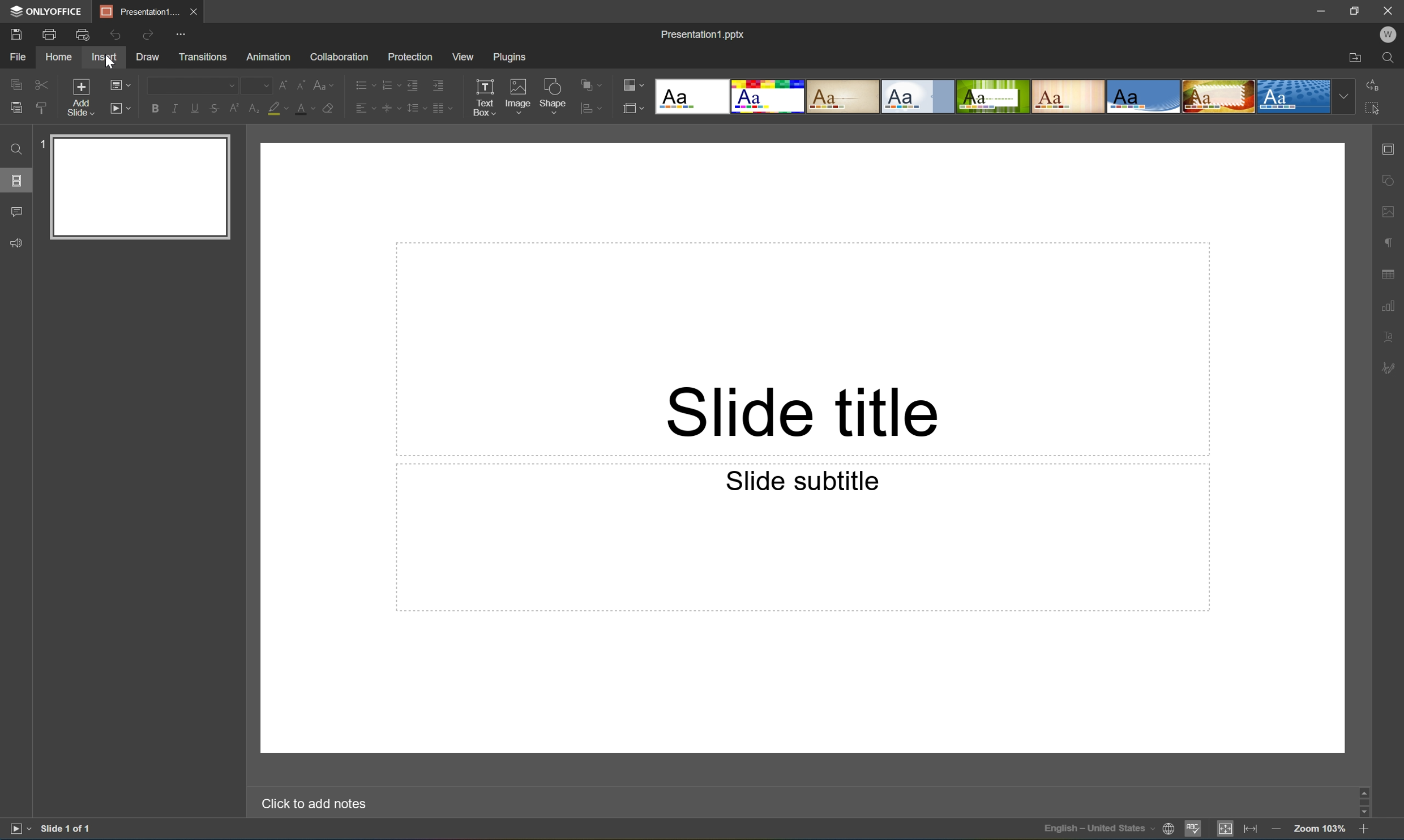 The width and height of the screenshot is (1404, 840). I want to click on Animation, so click(268, 58).